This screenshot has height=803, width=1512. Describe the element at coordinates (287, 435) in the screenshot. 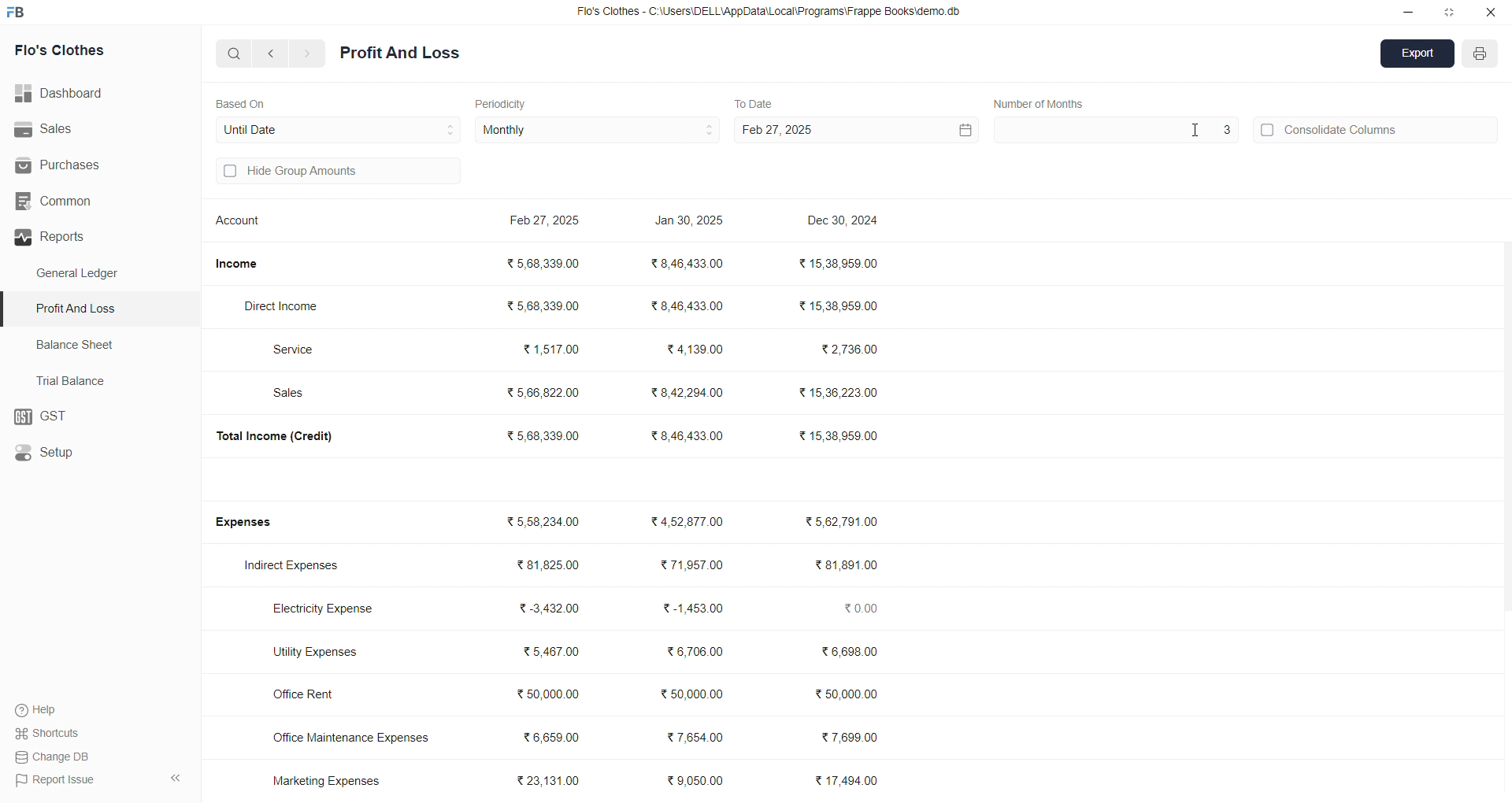

I see `Total Income (Credit)` at that location.